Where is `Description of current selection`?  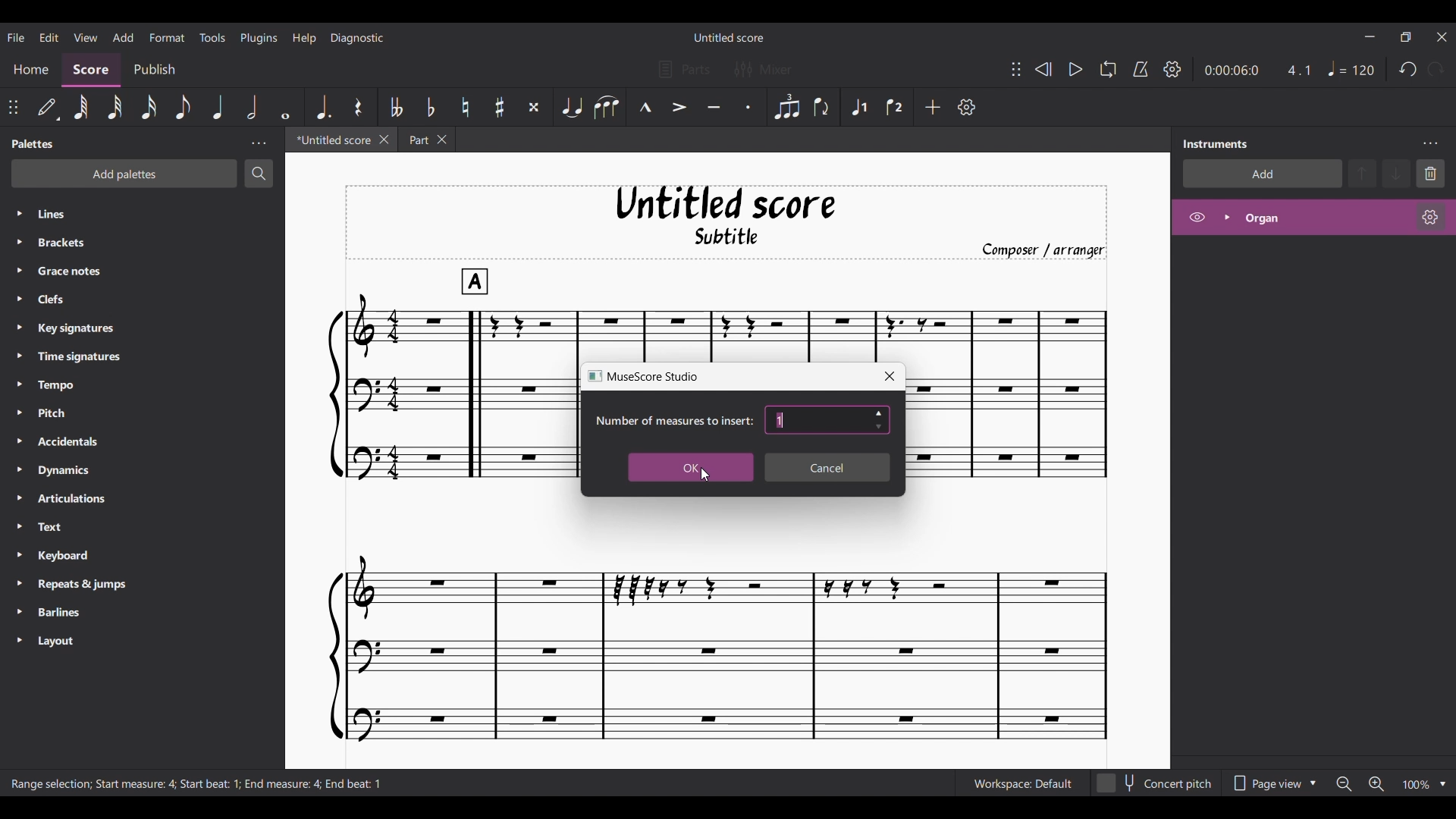 Description of current selection is located at coordinates (198, 784).